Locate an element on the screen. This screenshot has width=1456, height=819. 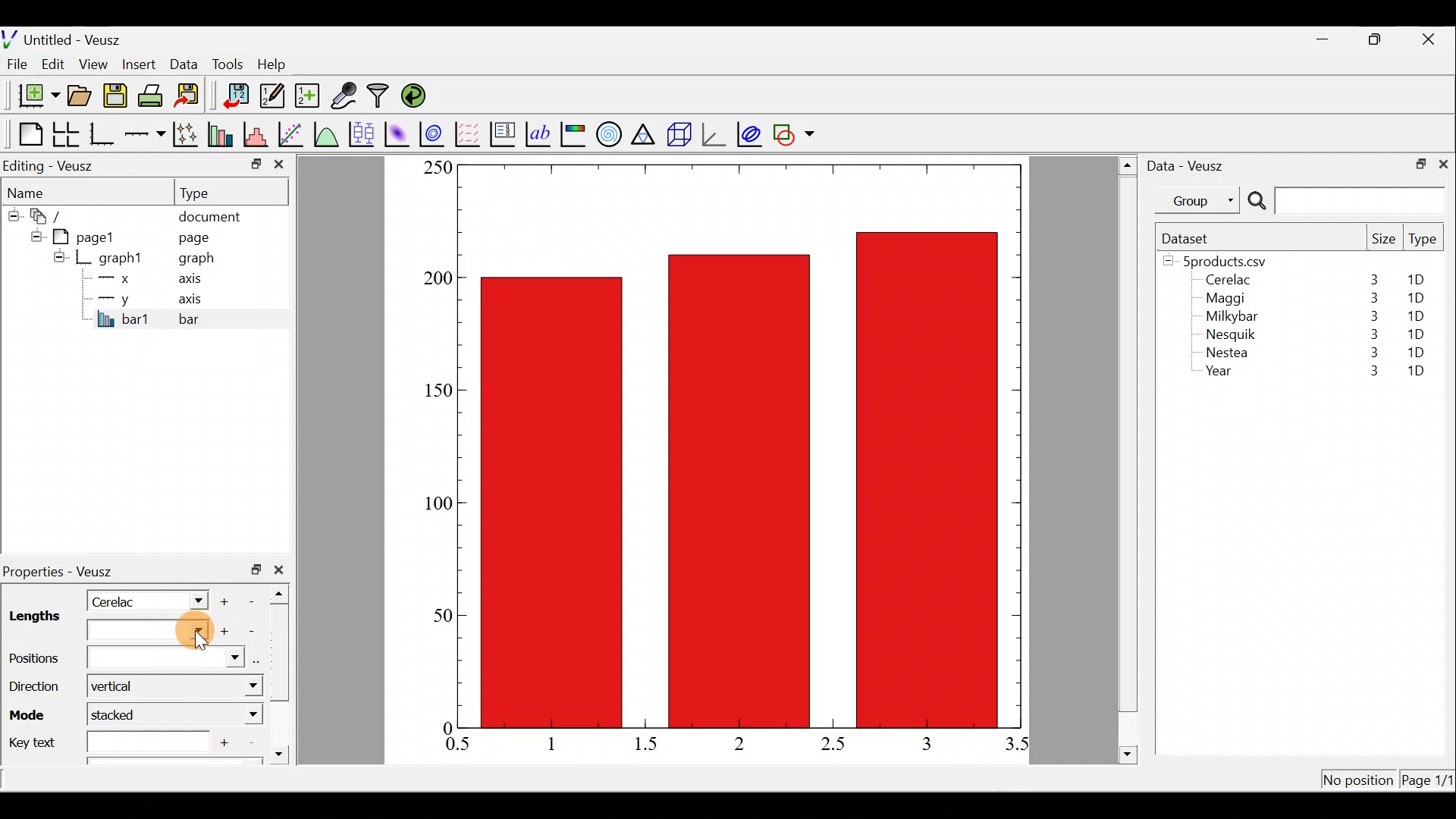
Histogram of a dataset is located at coordinates (260, 135).